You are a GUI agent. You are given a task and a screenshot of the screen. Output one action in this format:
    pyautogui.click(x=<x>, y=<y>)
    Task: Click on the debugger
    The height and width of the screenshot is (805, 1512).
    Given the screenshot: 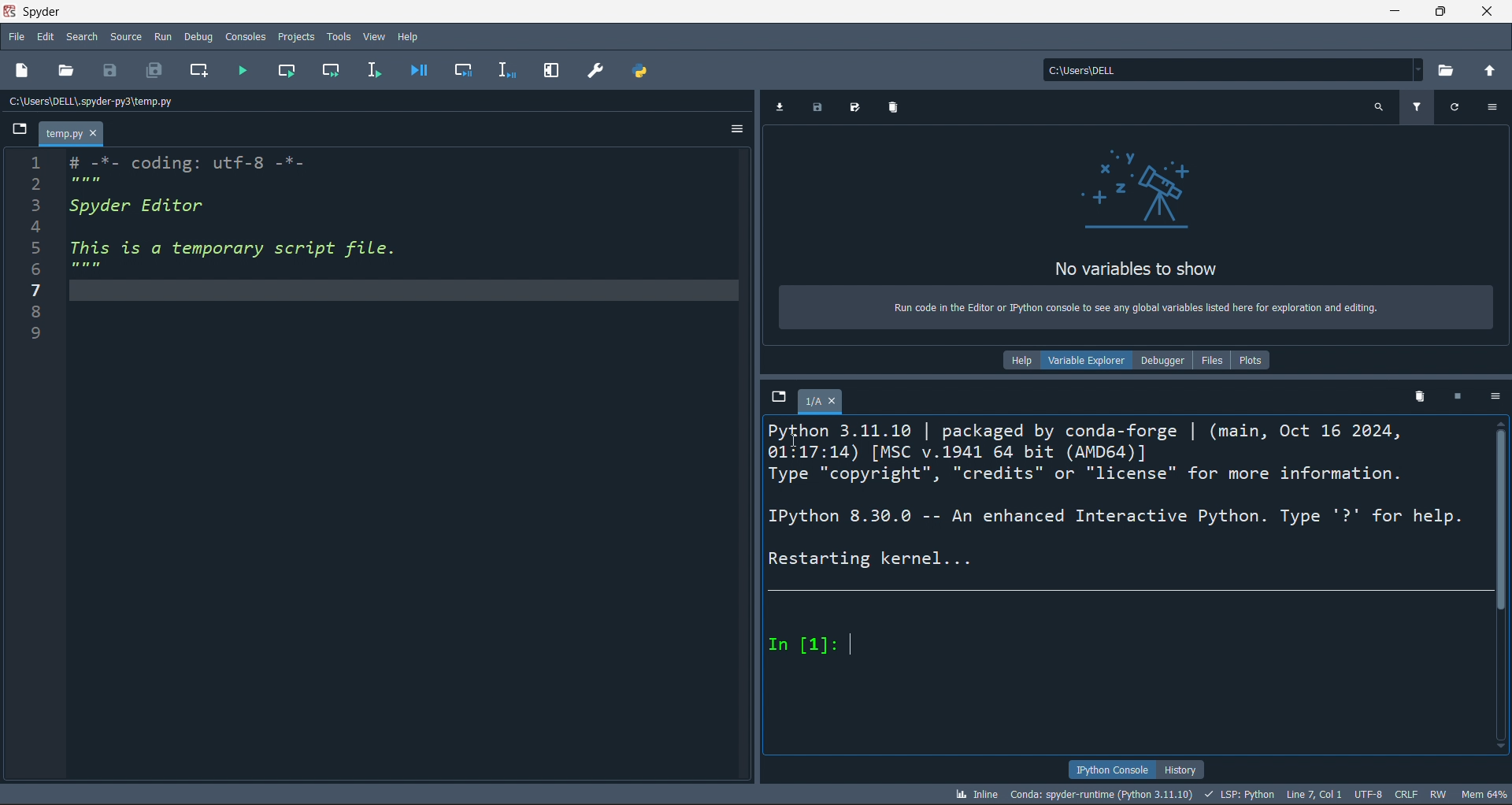 What is the action you would take?
    pyautogui.click(x=1163, y=360)
    